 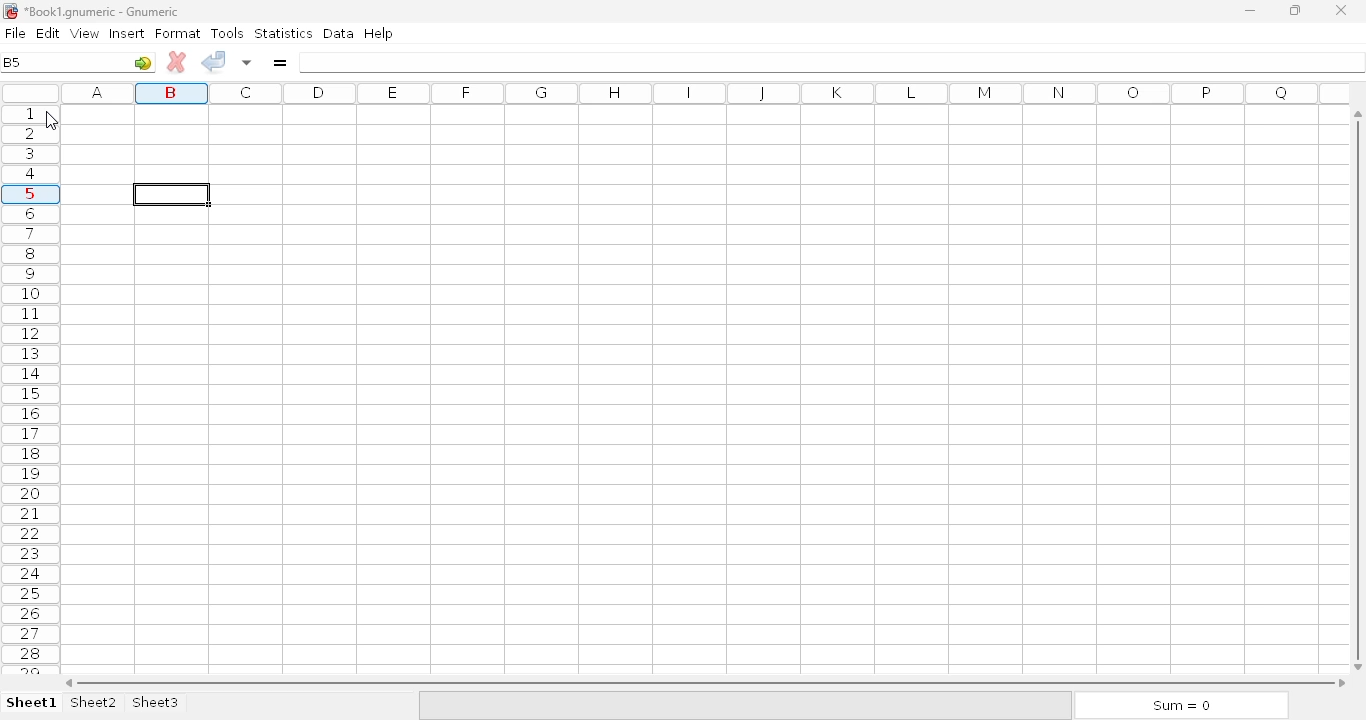 What do you see at coordinates (279, 62) in the screenshot?
I see `enter formula` at bounding box center [279, 62].